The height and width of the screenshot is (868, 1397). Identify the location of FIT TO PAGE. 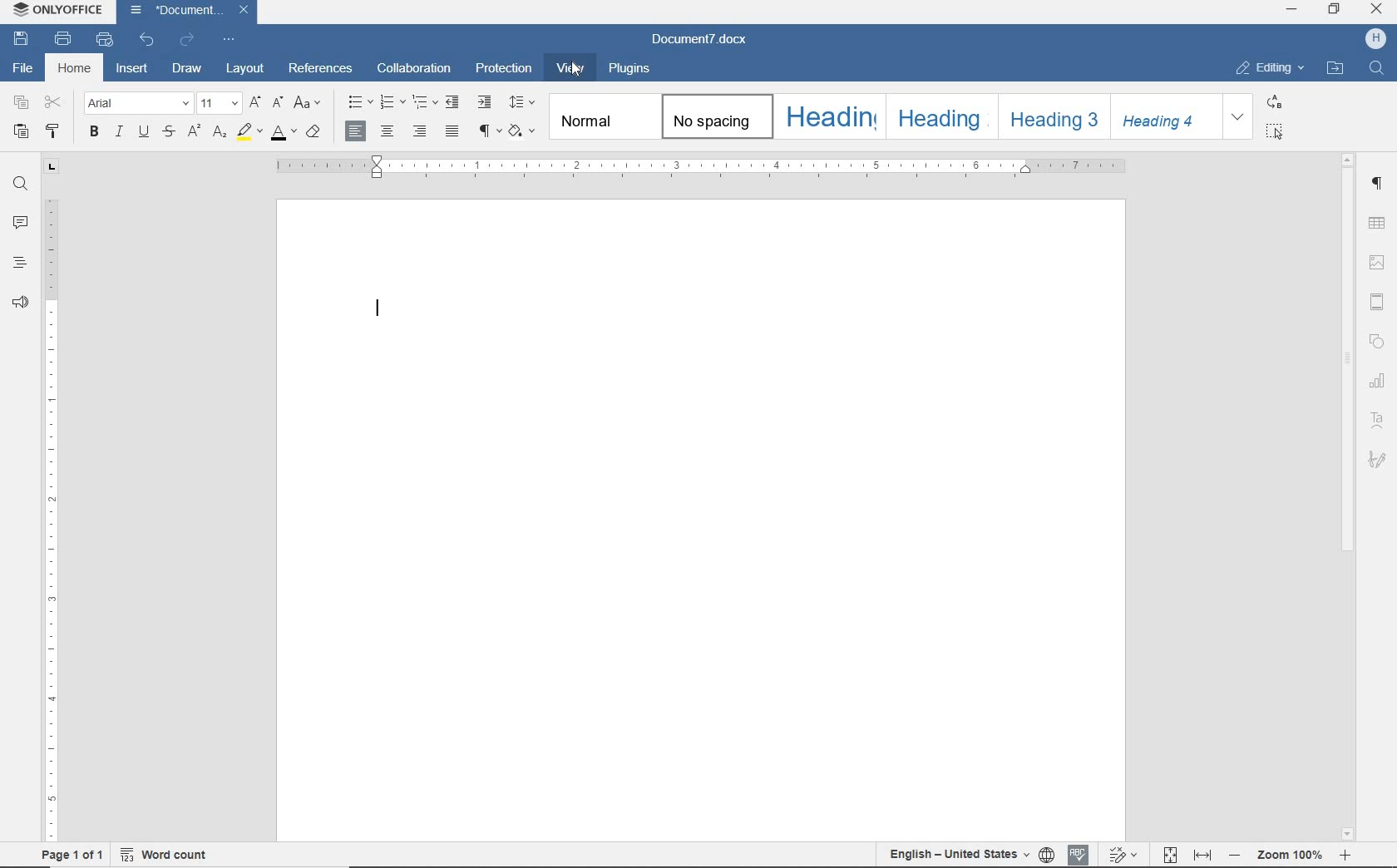
(1172, 855).